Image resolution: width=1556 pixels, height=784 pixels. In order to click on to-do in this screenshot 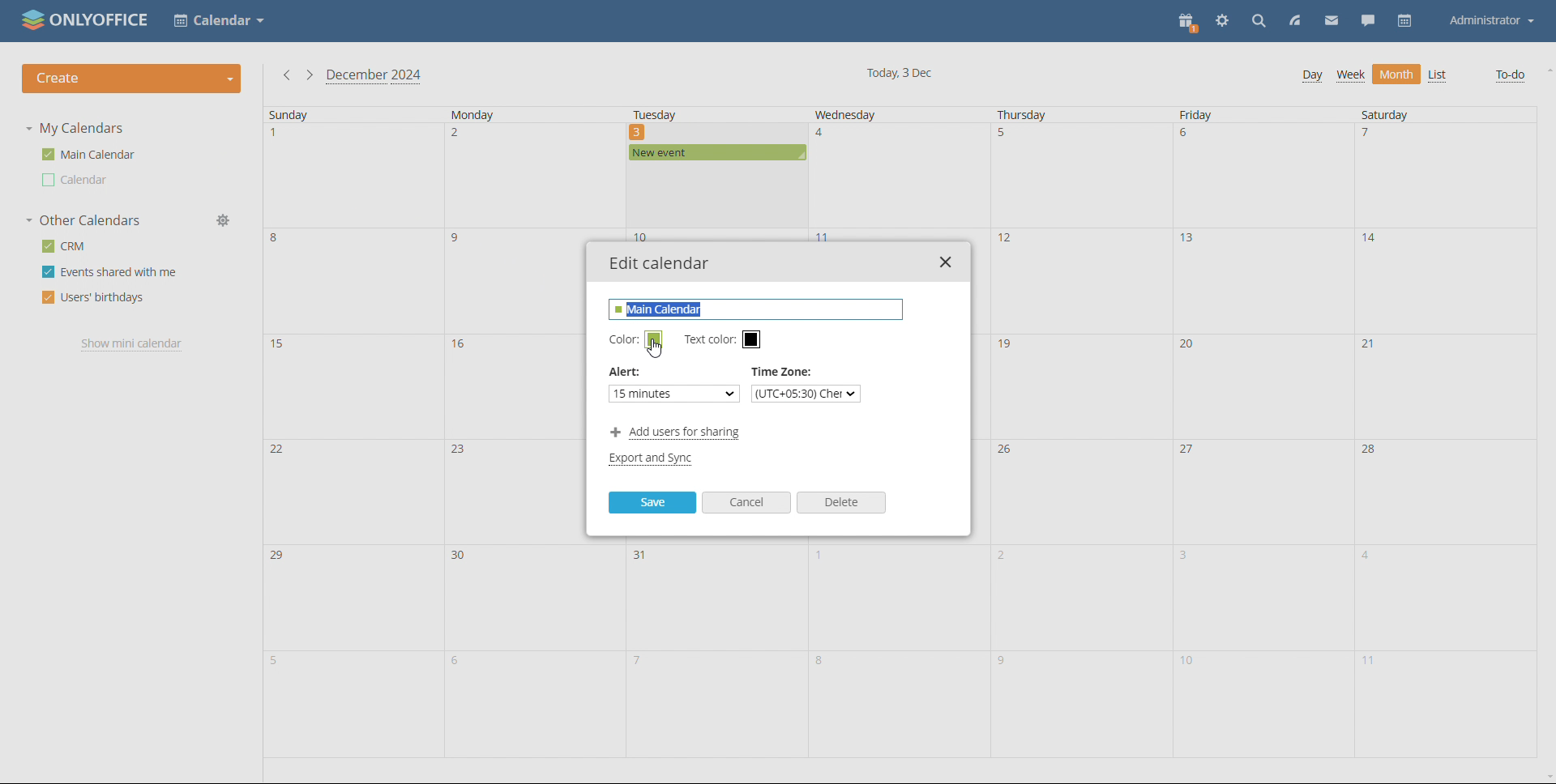, I will do `click(1511, 76)`.